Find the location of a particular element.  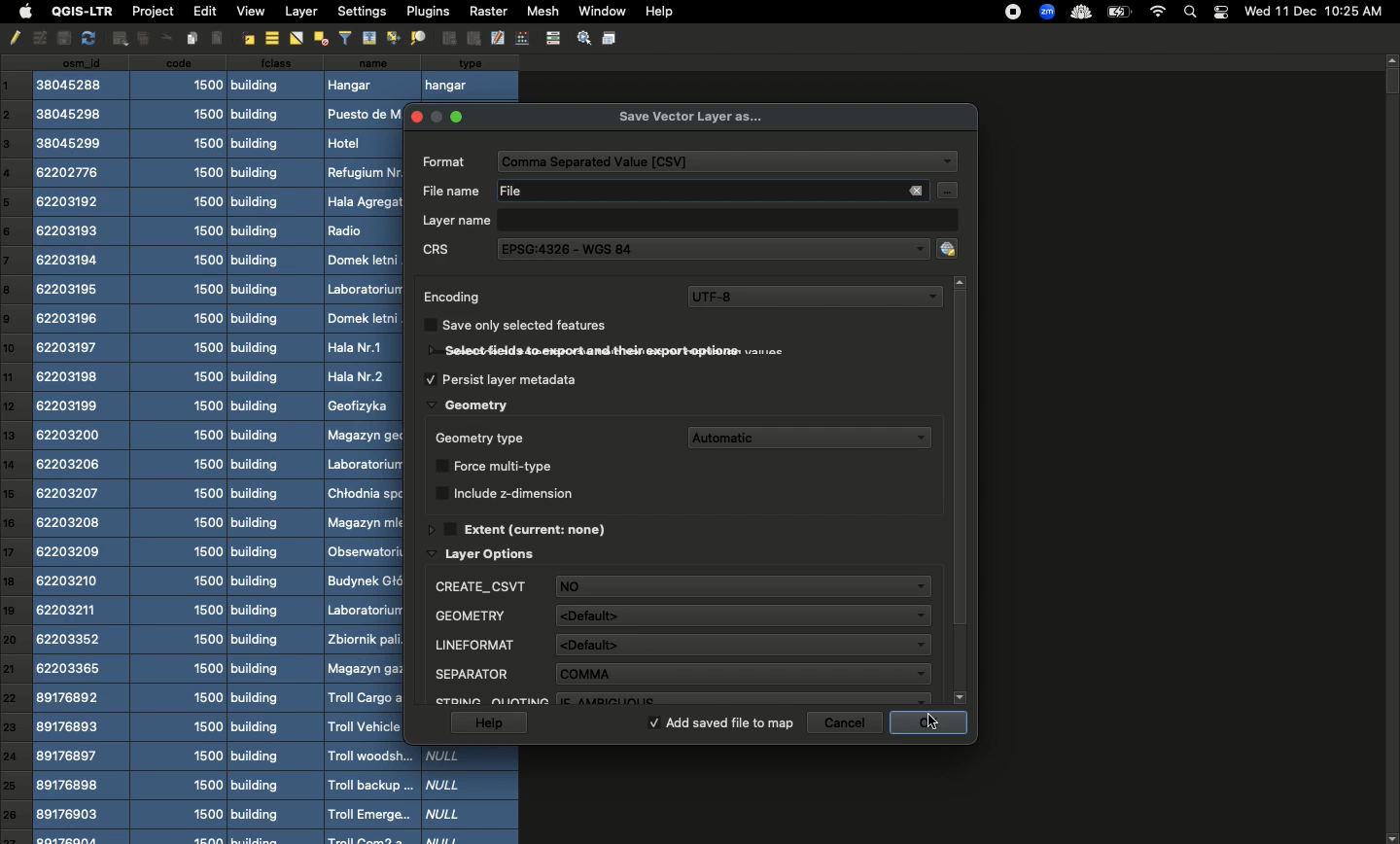

FID is located at coordinates (679, 612).